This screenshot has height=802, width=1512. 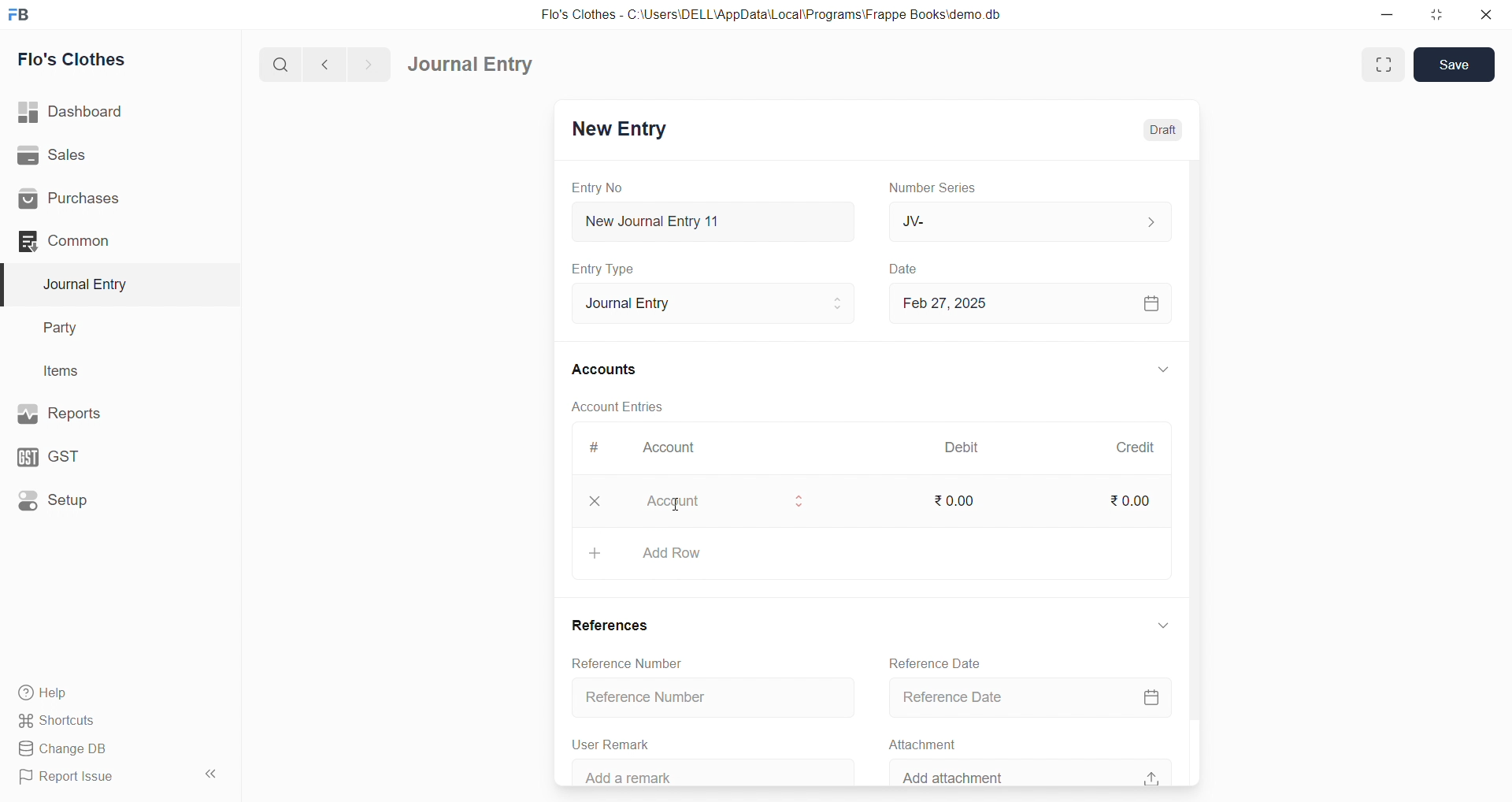 What do you see at coordinates (95, 200) in the screenshot?
I see `Purchases` at bounding box center [95, 200].